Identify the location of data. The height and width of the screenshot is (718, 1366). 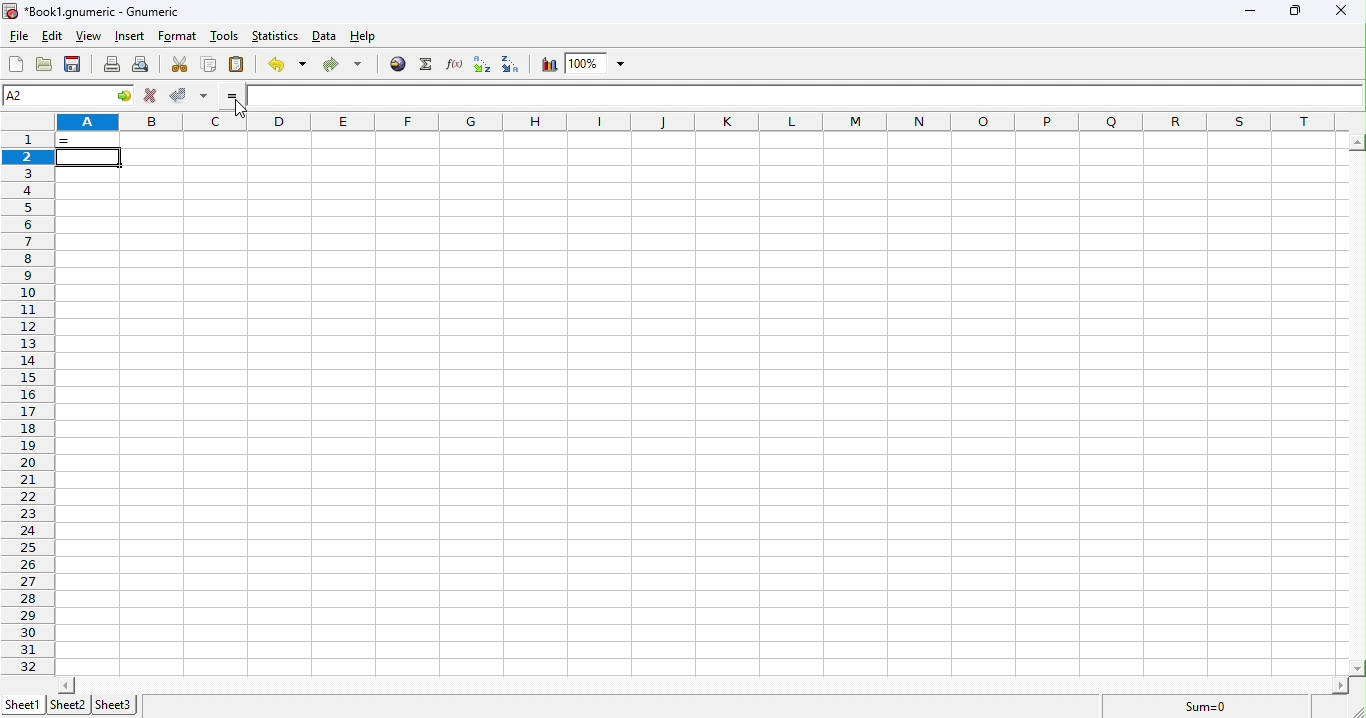
(325, 36).